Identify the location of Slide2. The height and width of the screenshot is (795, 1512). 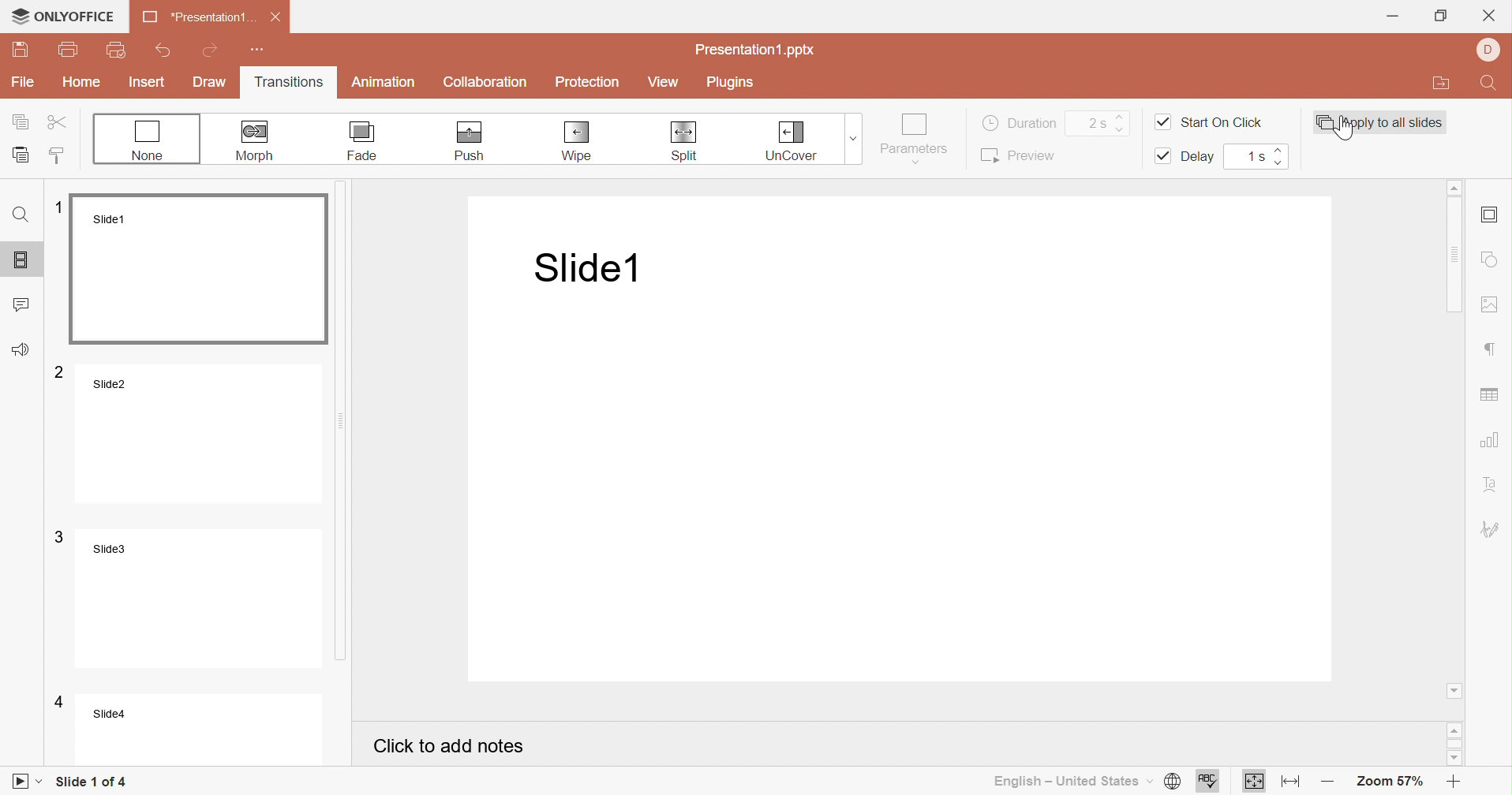
(188, 433).